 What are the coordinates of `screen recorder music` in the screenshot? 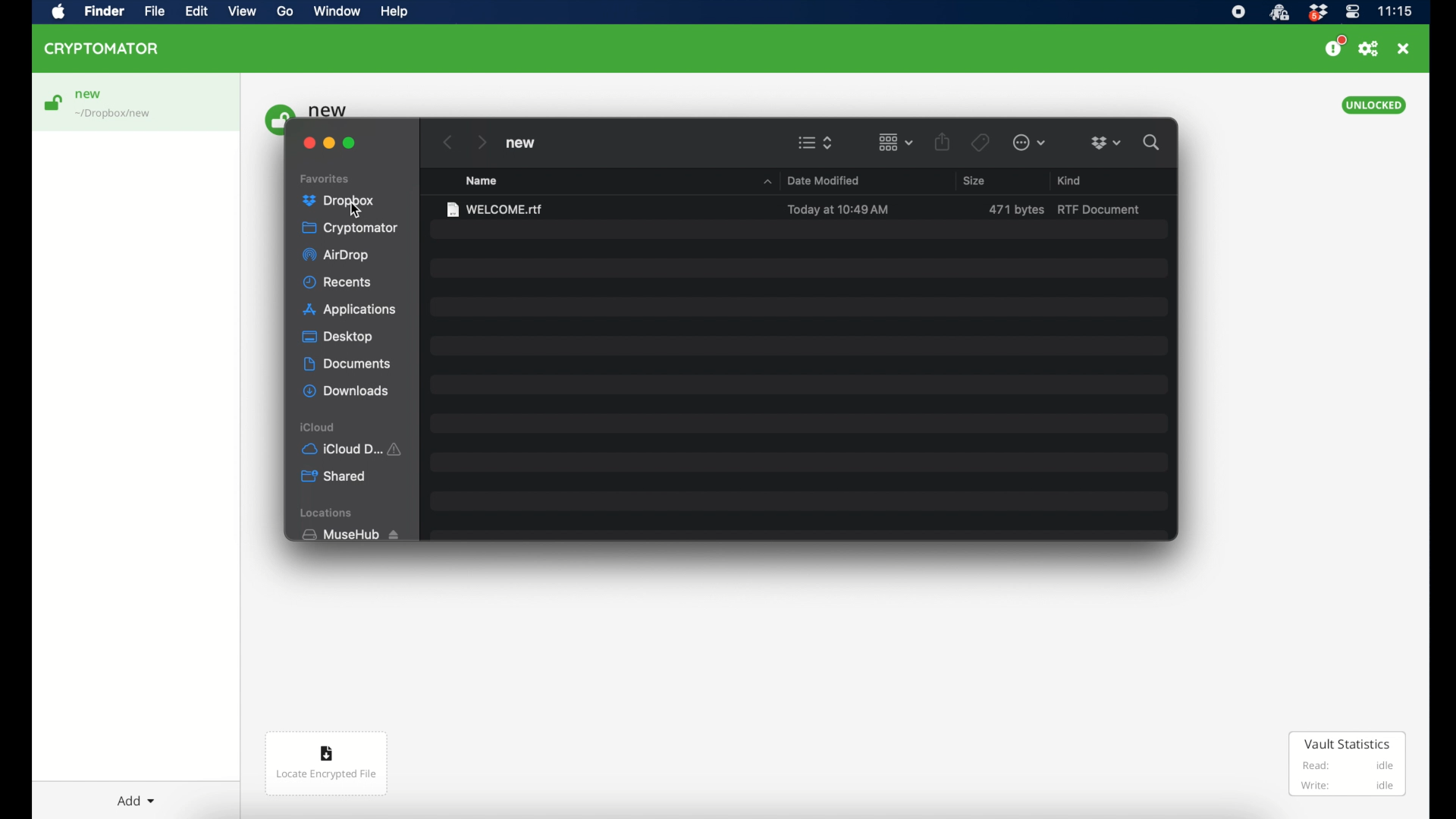 It's located at (1238, 12).